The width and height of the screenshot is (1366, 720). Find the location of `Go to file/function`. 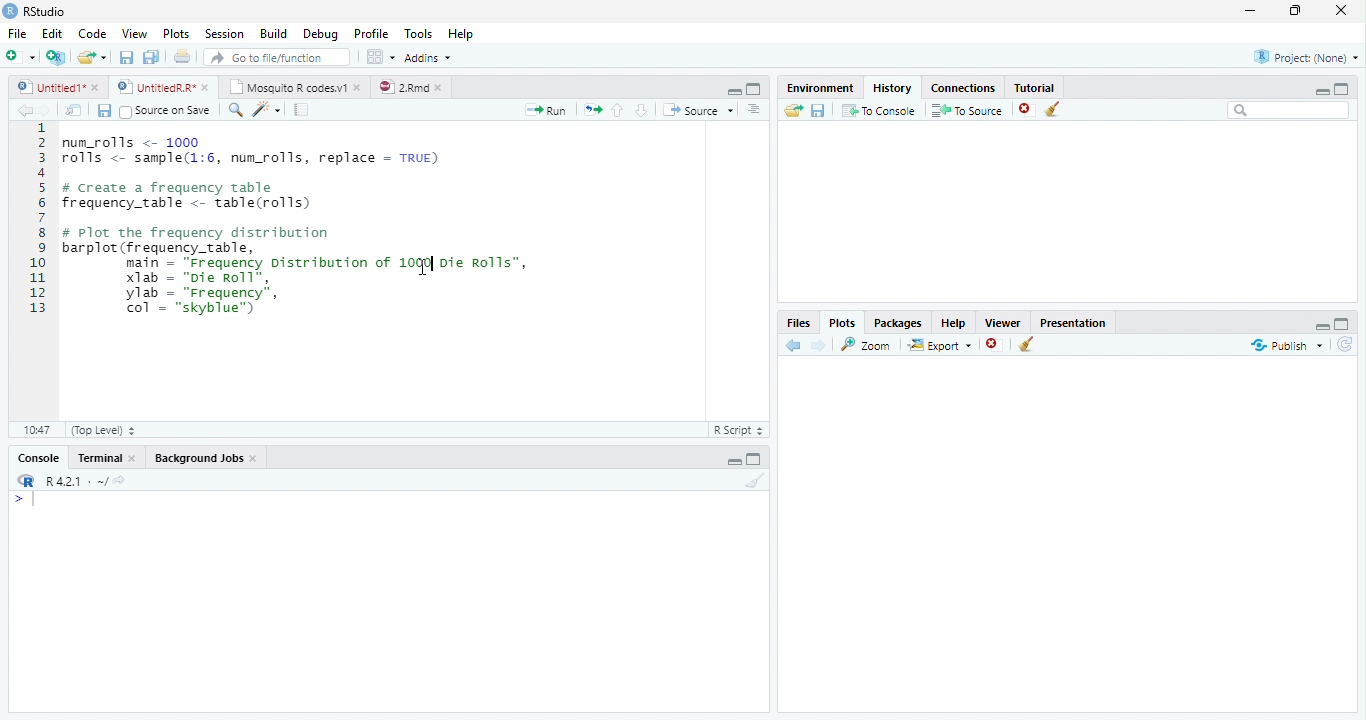

Go to file/function is located at coordinates (275, 57).